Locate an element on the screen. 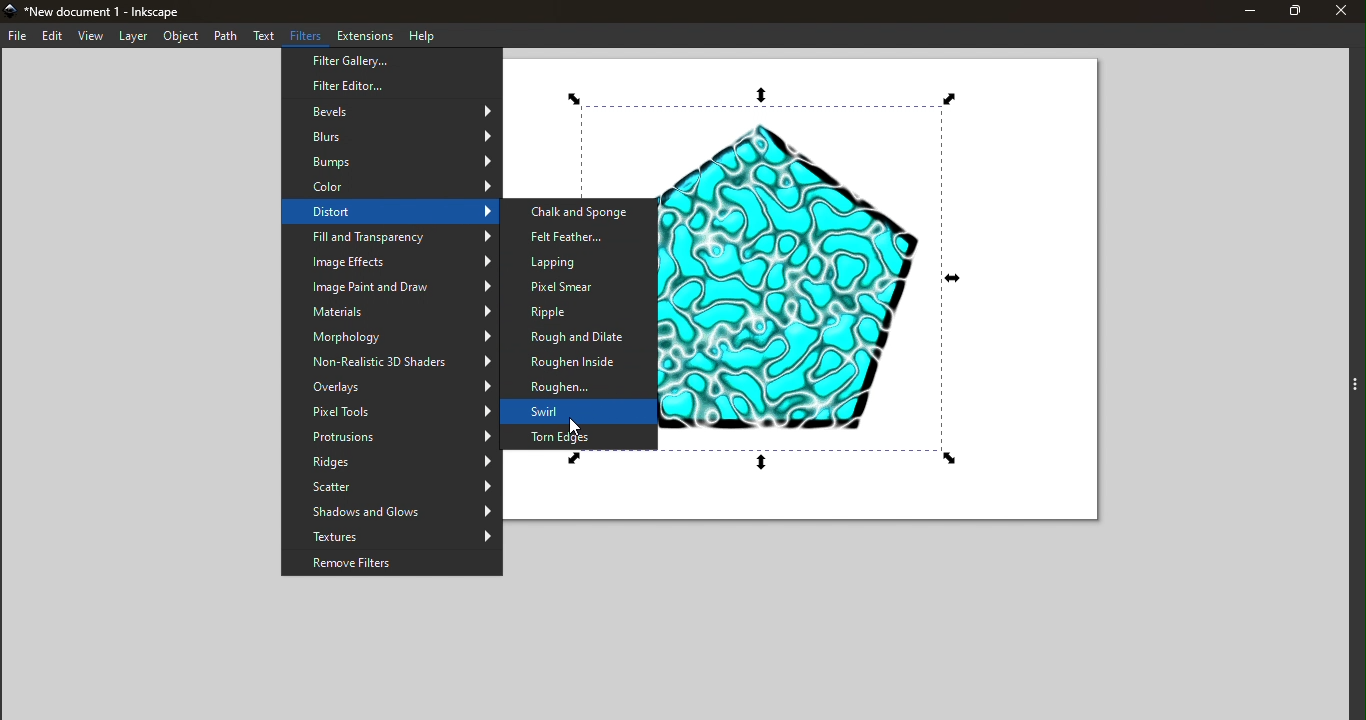 This screenshot has width=1366, height=720. Extensions is located at coordinates (365, 35).